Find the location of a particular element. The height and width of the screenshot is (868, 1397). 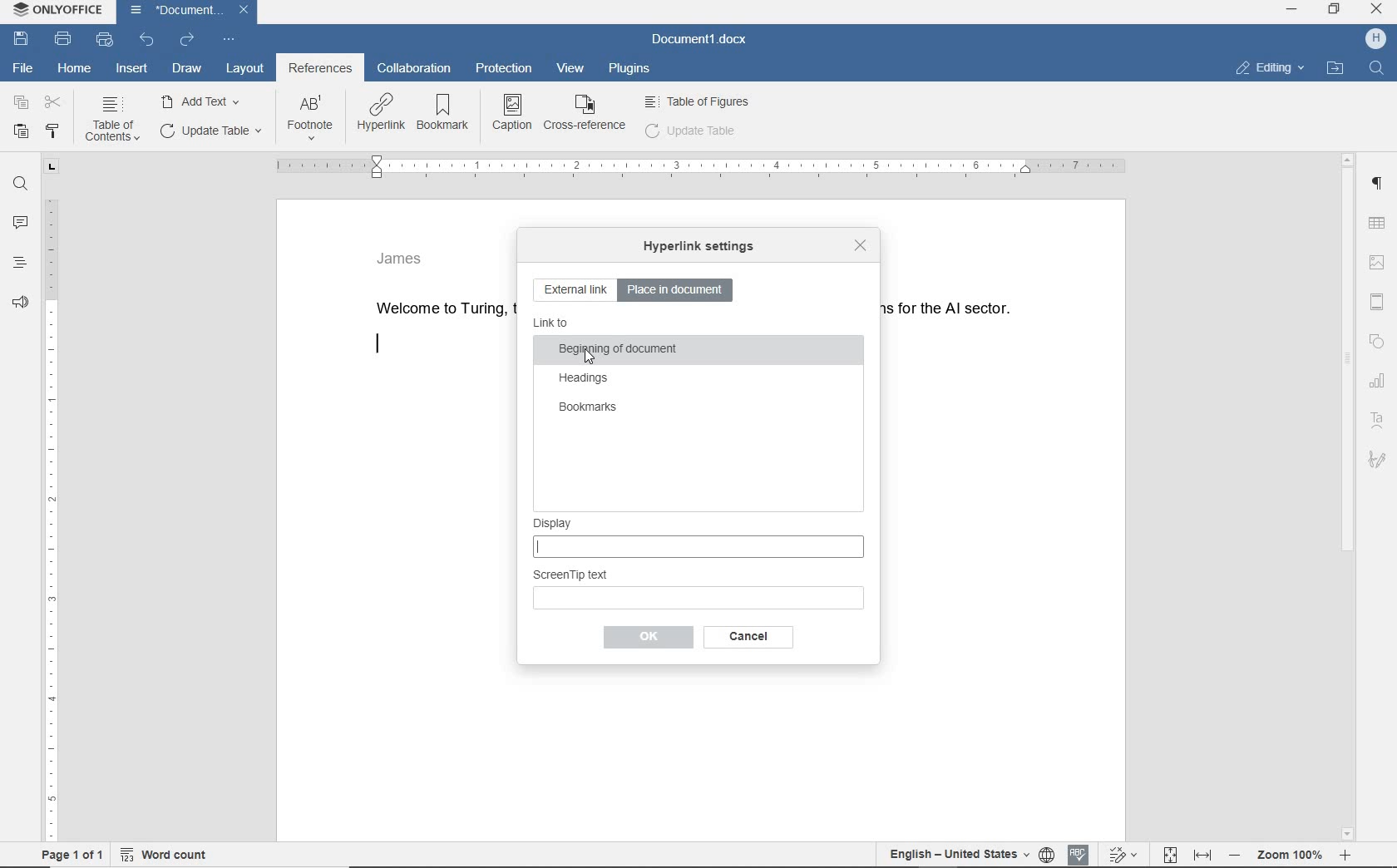

BOOKMARK is located at coordinates (447, 114).